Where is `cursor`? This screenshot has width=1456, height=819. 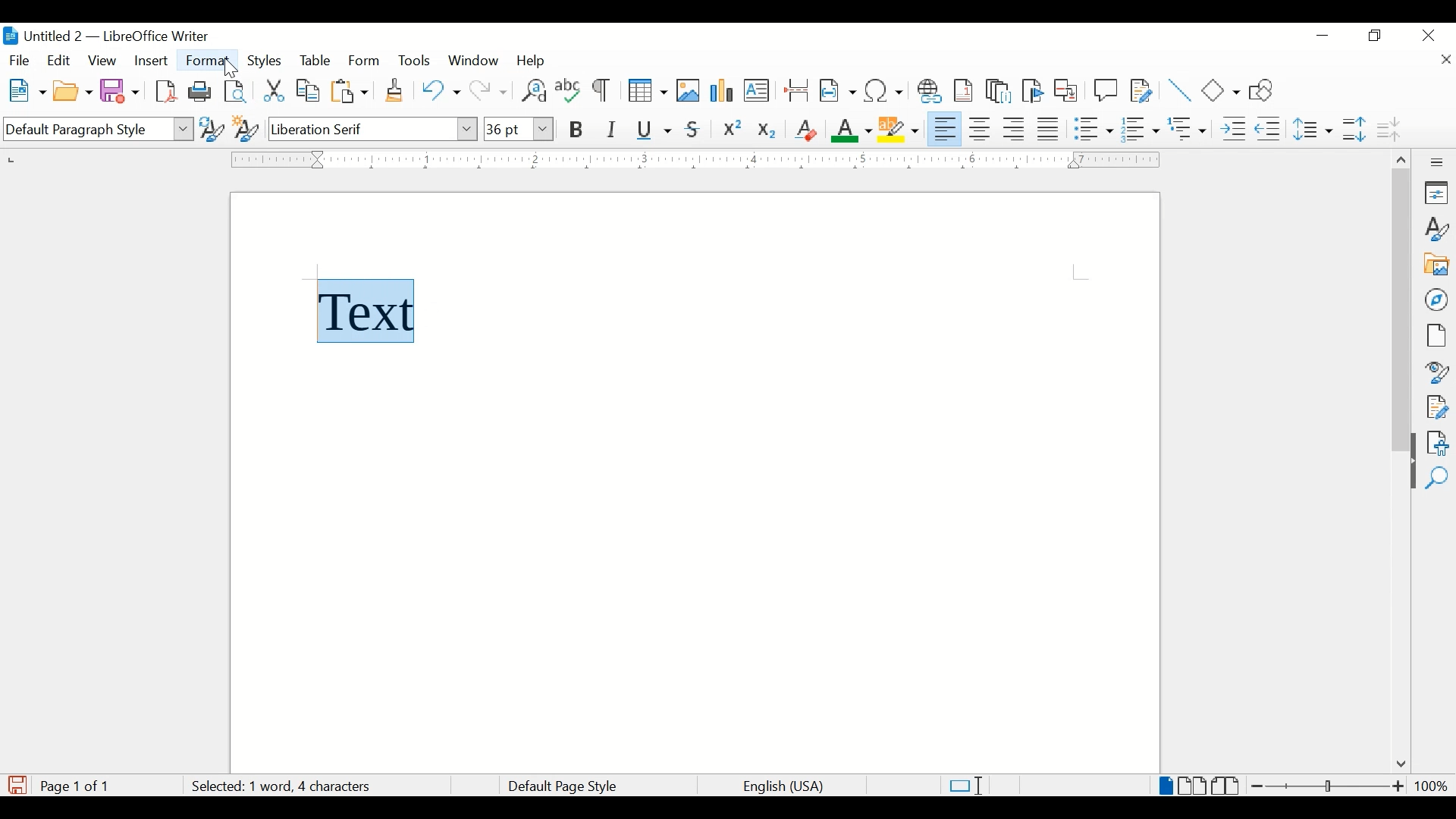
cursor is located at coordinates (225, 69).